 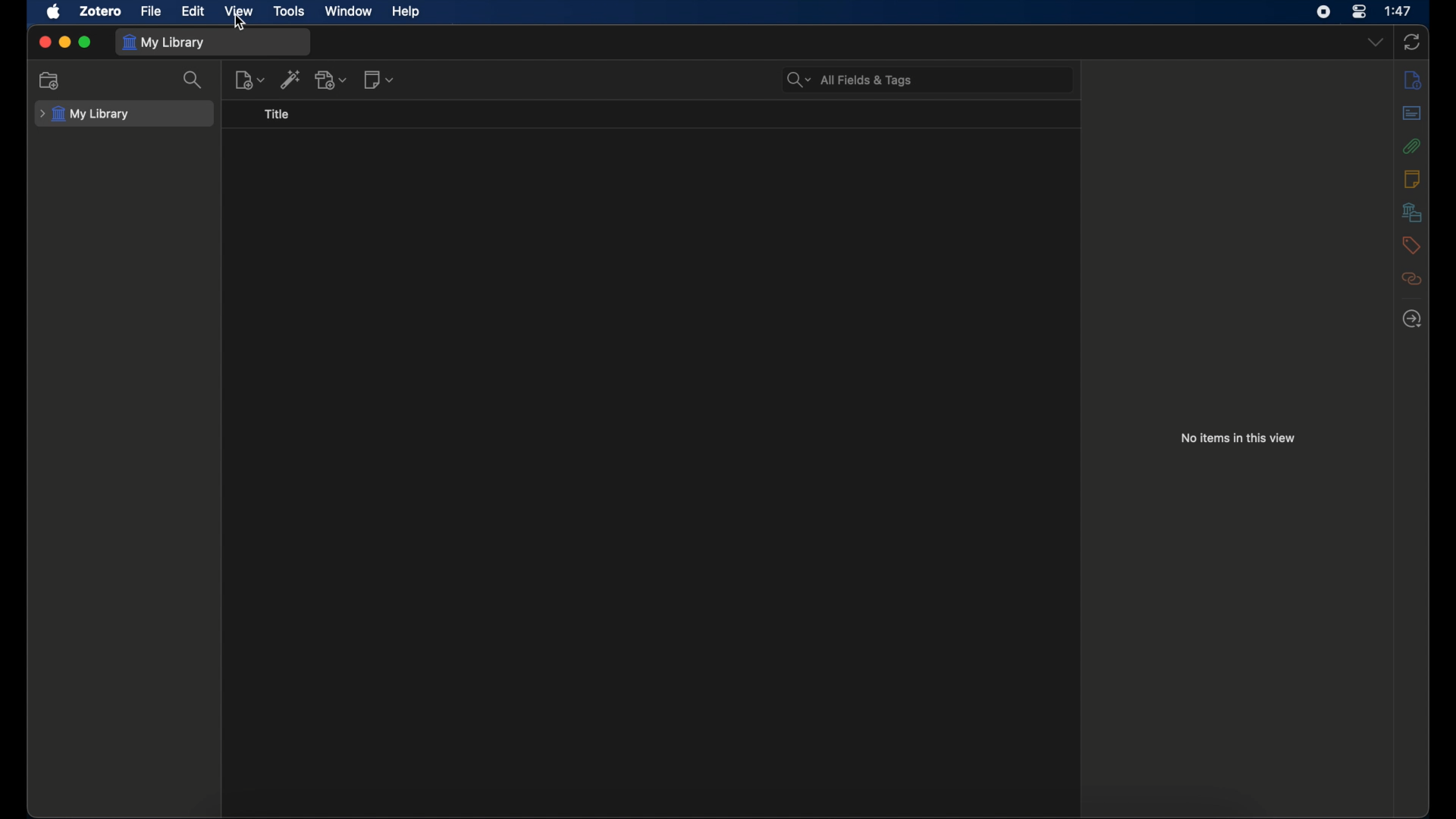 I want to click on Cursor, so click(x=243, y=27).